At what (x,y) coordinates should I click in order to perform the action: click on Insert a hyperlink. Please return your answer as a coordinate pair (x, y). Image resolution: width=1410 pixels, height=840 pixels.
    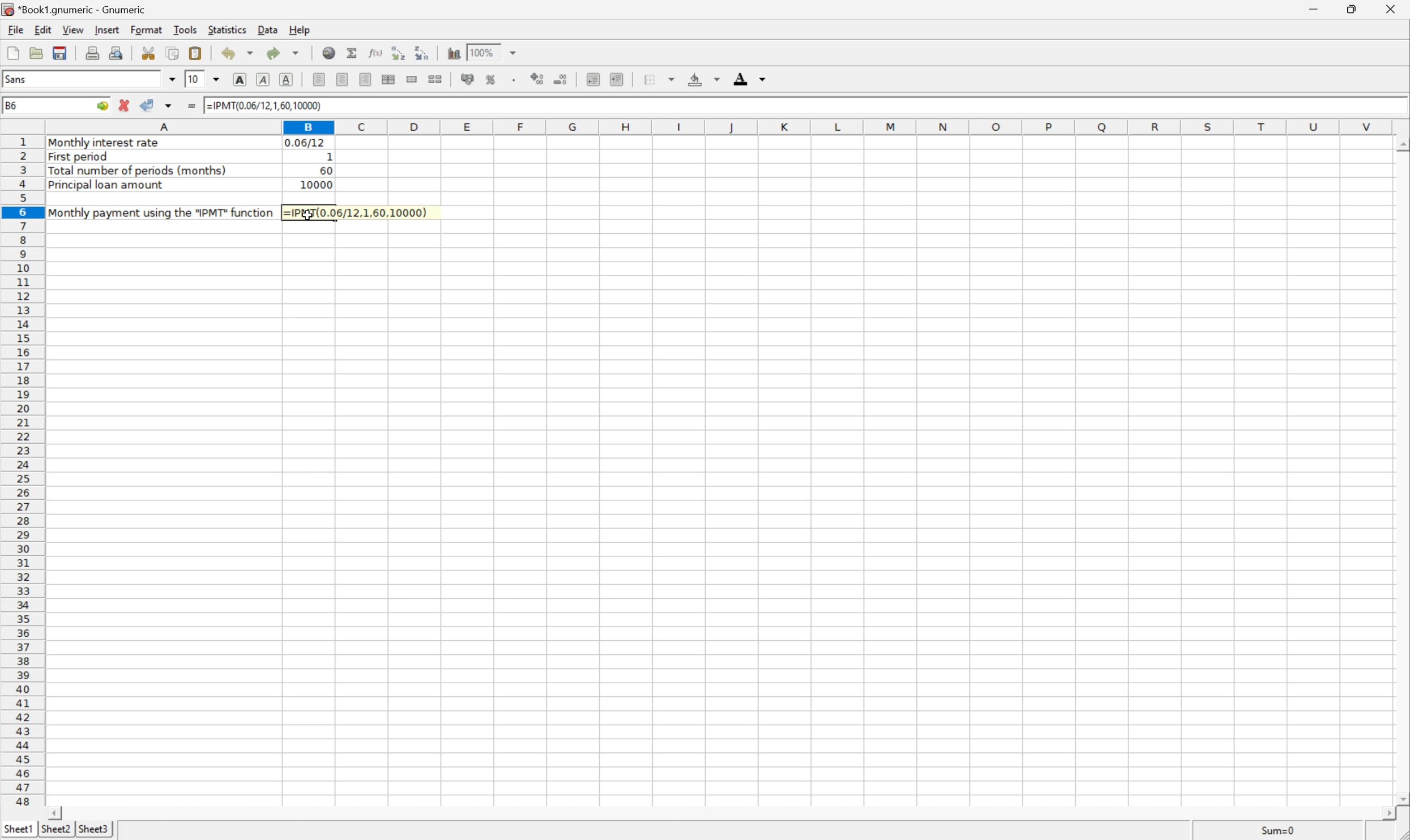
    Looking at the image, I should click on (327, 52).